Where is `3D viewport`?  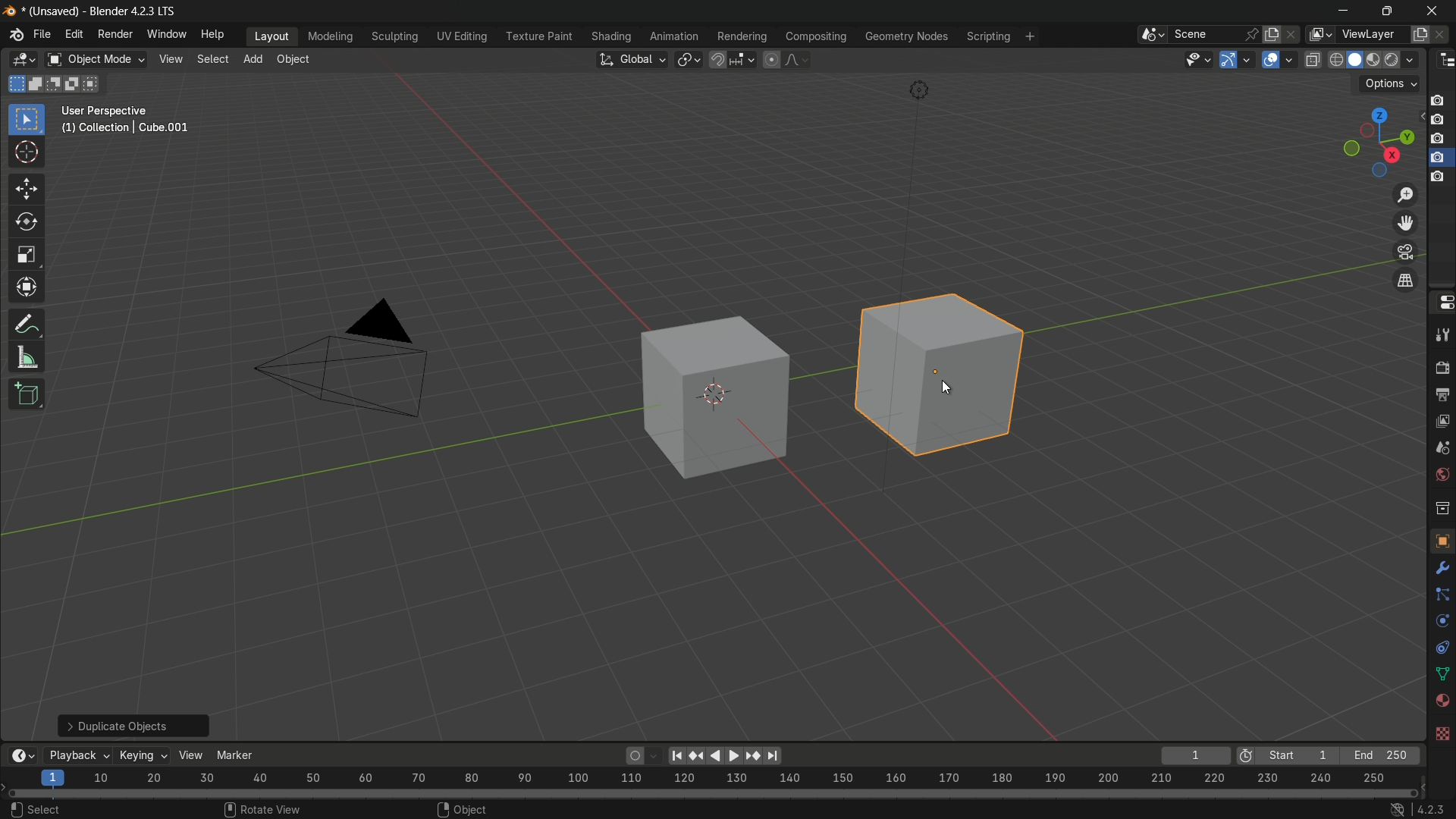
3D viewport is located at coordinates (24, 61).